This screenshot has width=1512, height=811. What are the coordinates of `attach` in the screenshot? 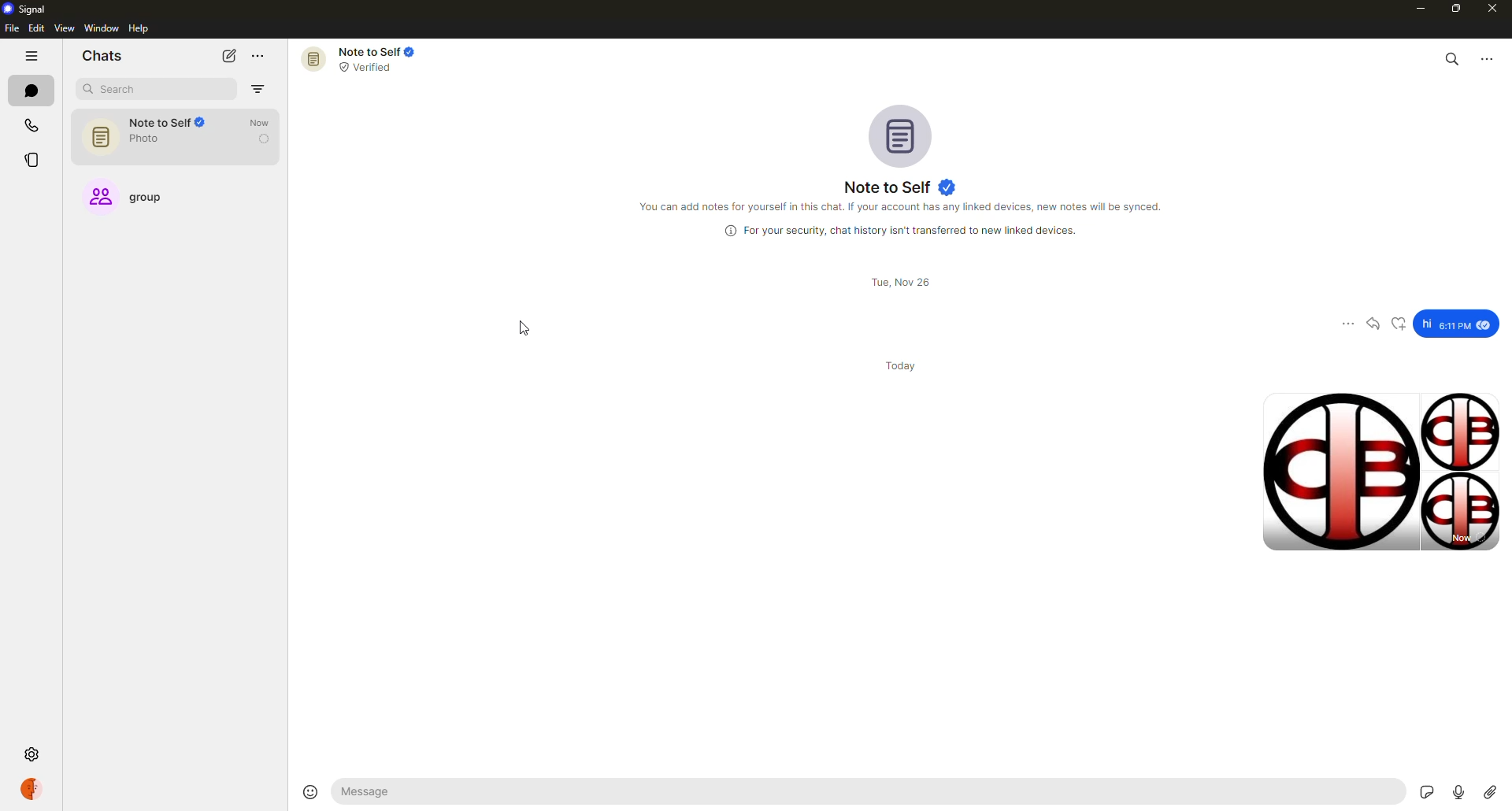 It's located at (1490, 792).